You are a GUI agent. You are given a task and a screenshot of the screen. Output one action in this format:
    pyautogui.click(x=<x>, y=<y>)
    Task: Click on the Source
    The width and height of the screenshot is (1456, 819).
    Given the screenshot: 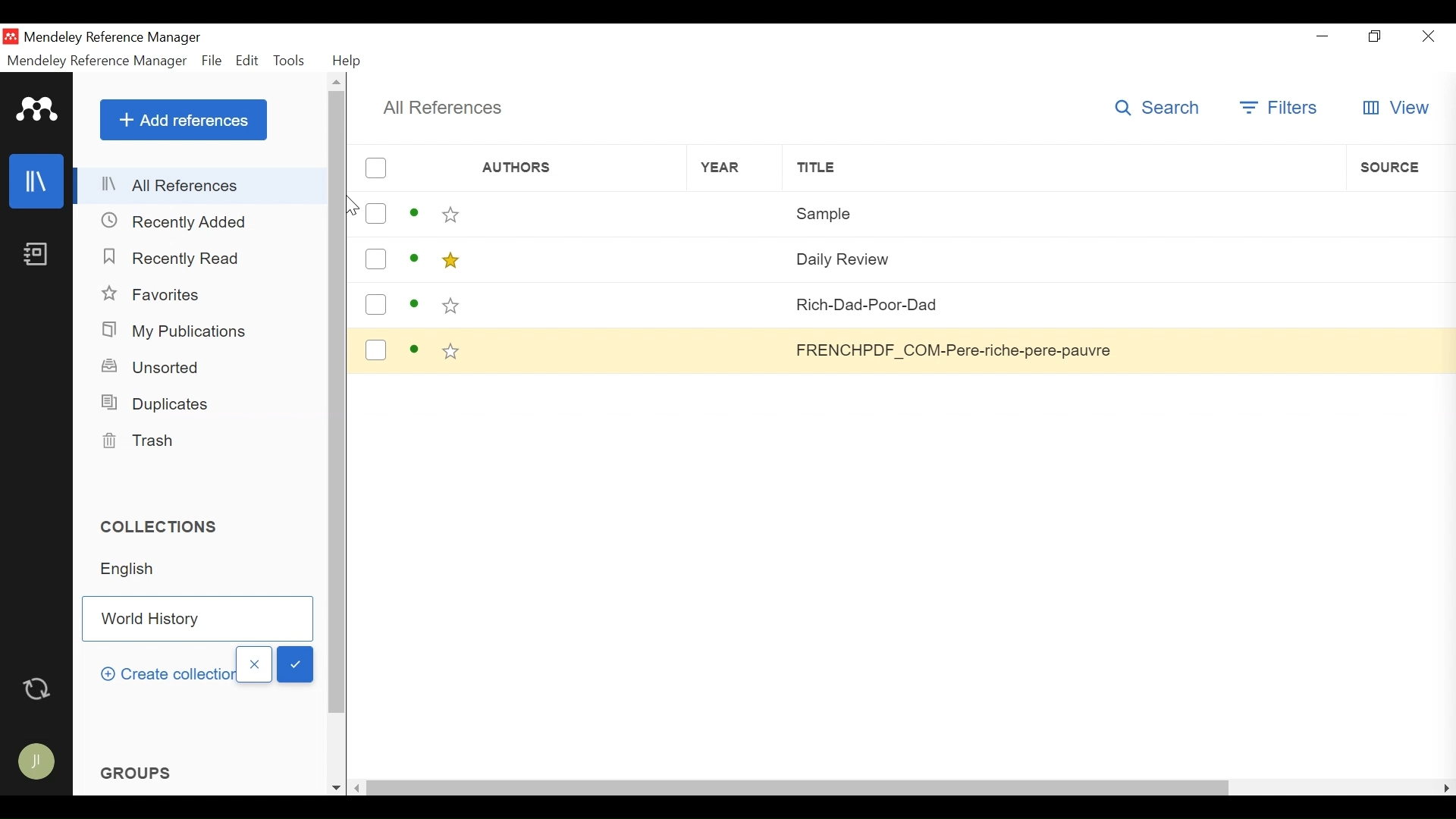 What is the action you would take?
    pyautogui.click(x=1400, y=211)
    